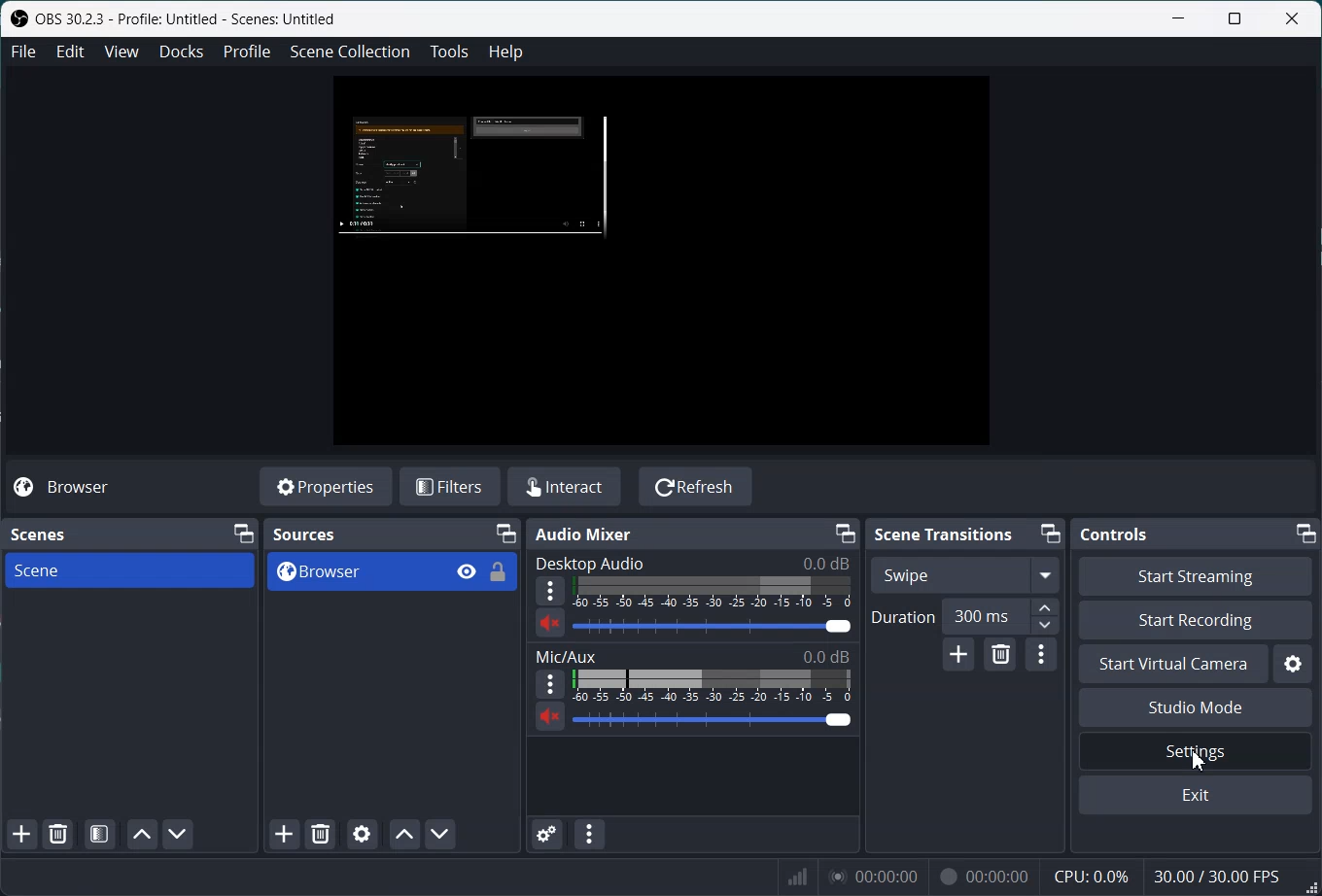 The image size is (1322, 896). What do you see at coordinates (792, 875) in the screenshot?
I see `Signals` at bounding box center [792, 875].